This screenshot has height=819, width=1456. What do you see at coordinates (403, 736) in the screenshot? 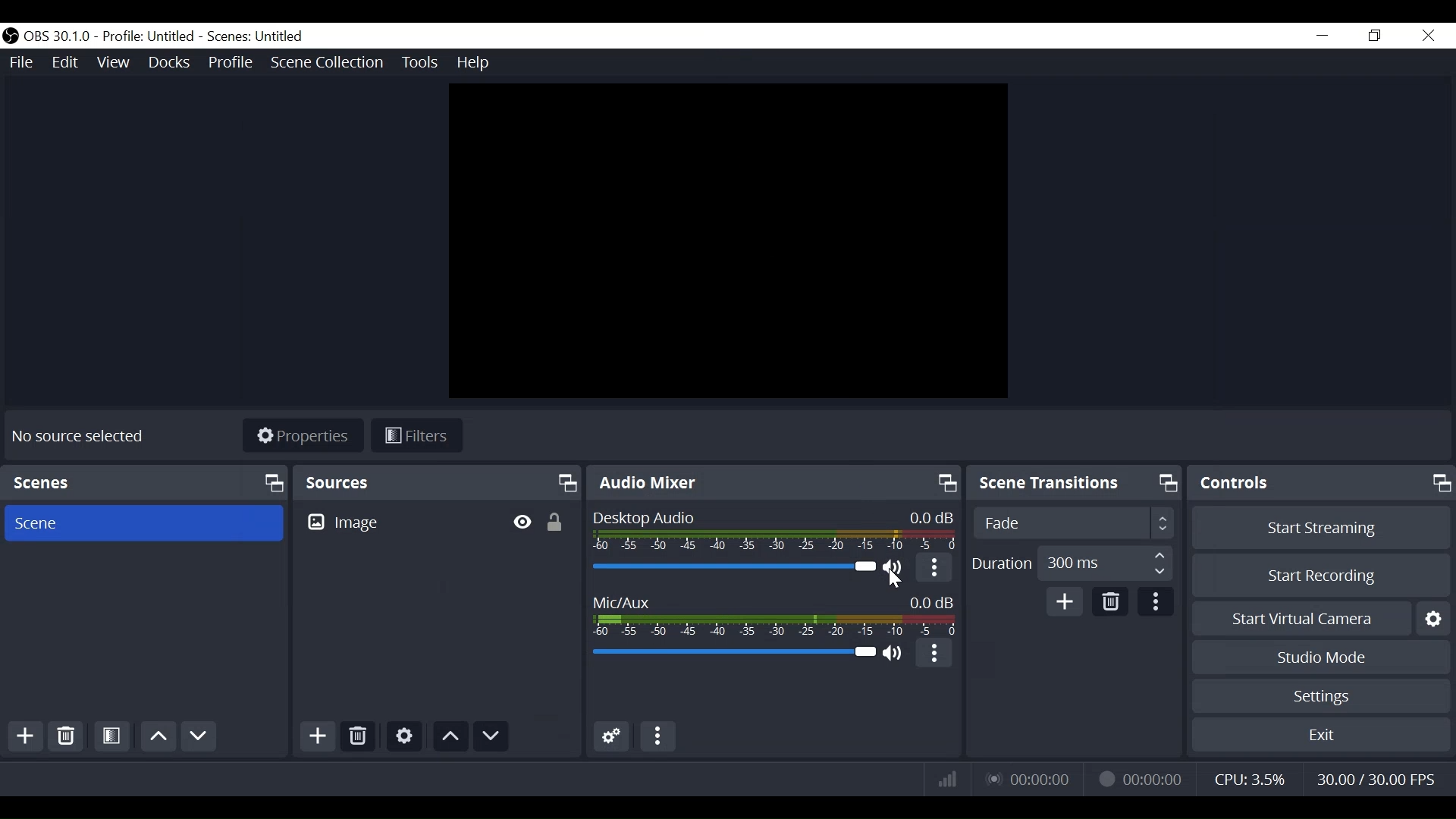
I see `Settings` at bounding box center [403, 736].